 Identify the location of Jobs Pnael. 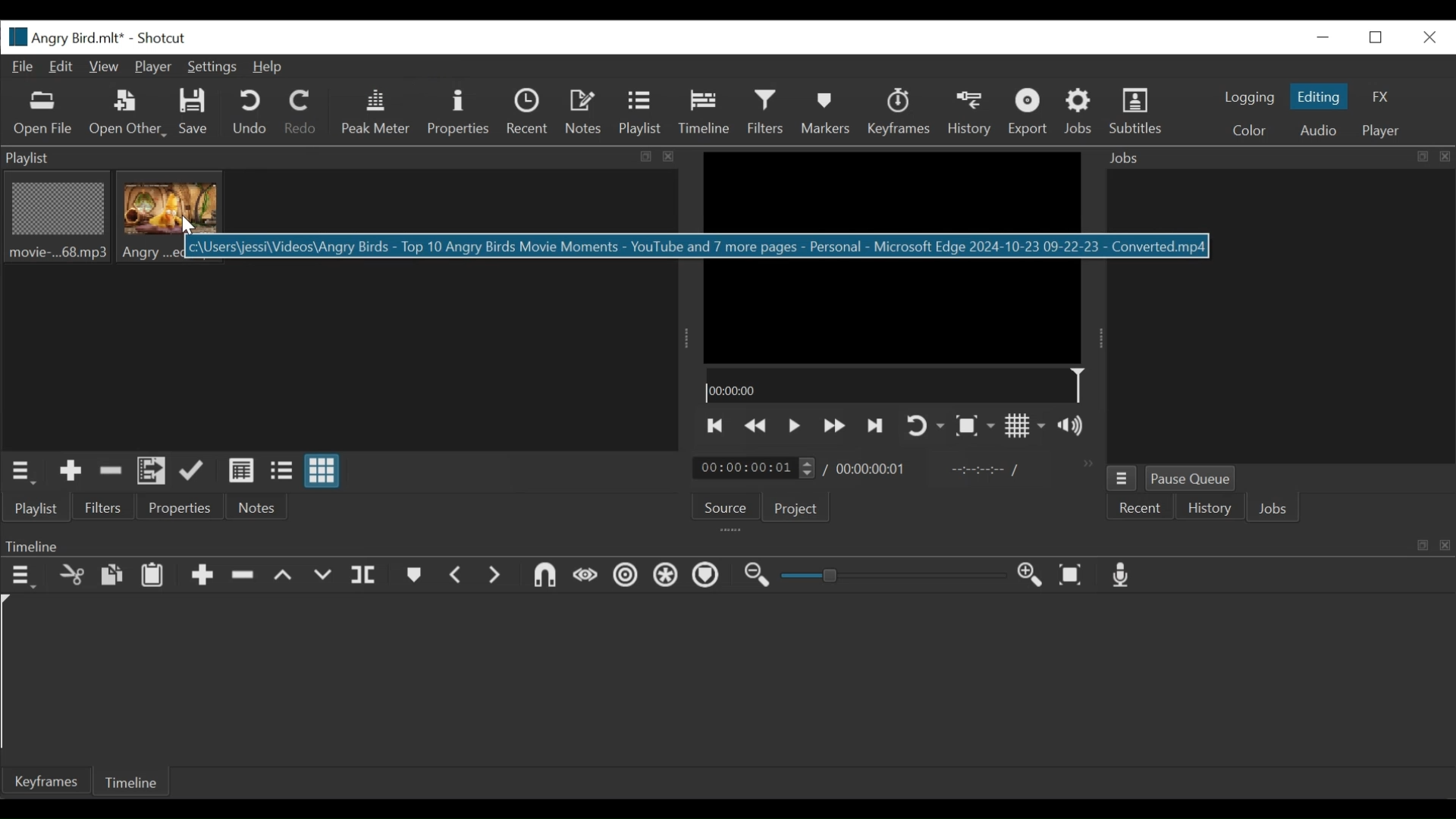
(1279, 160).